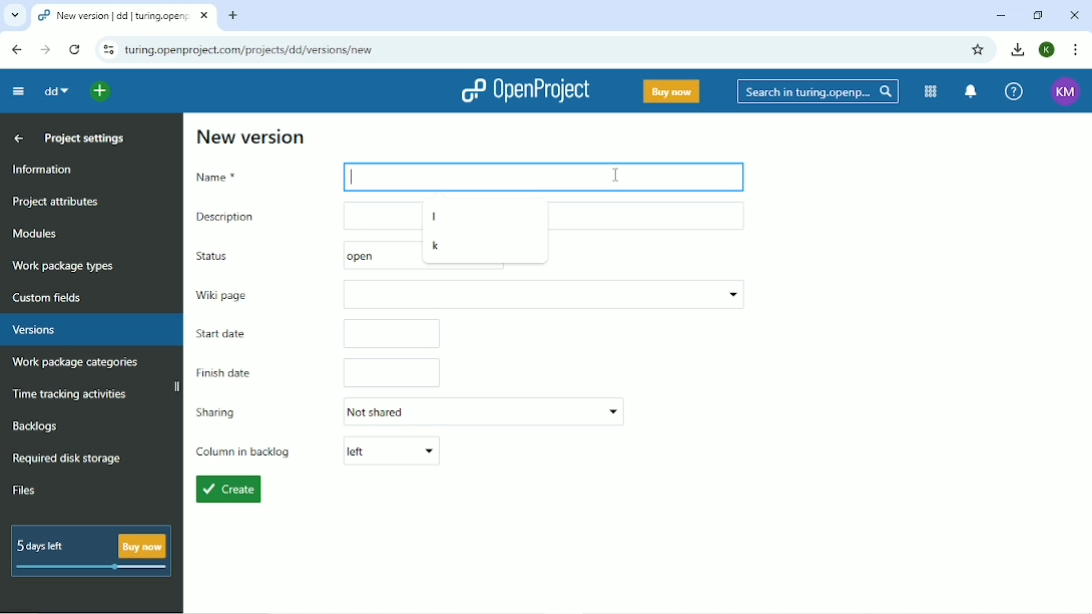 Image resolution: width=1092 pixels, height=614 pixels. Describe the element at coordinates (468, 294) in the screenshot. I see `Wiki page` at that location.